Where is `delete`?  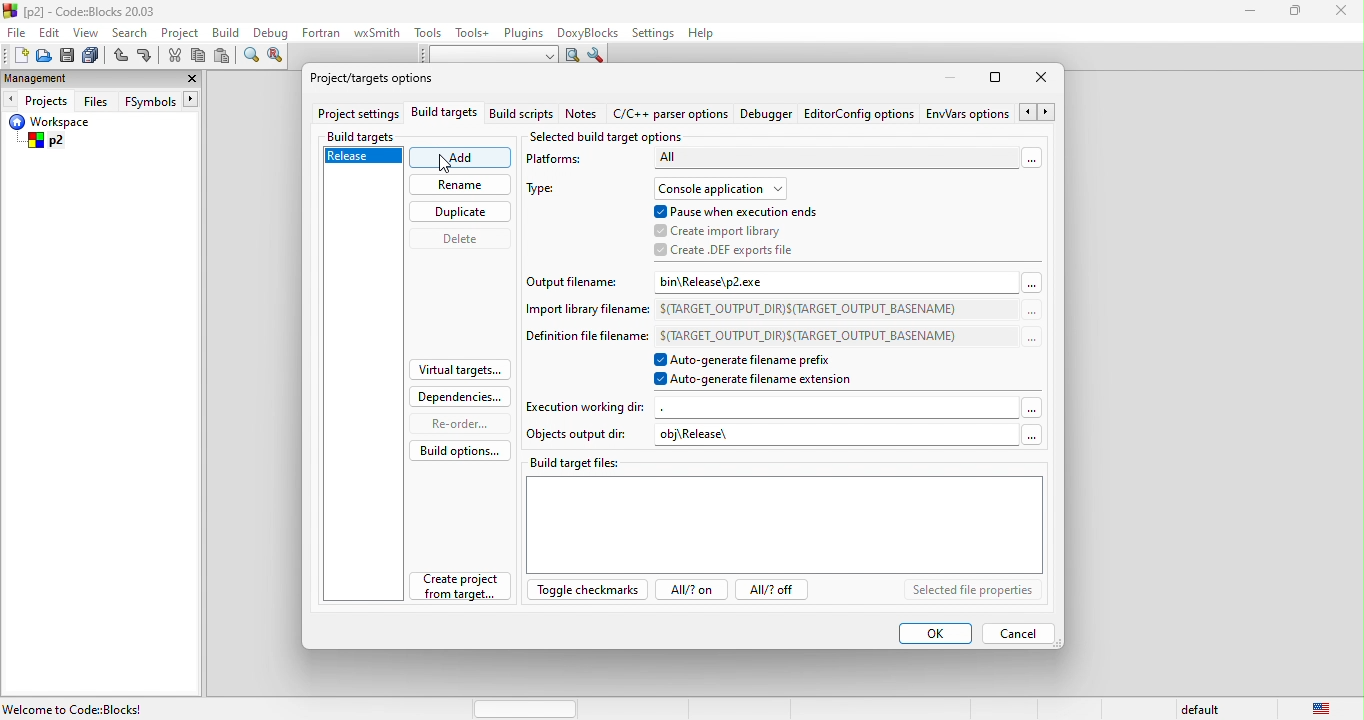 delete is located at coordinates (467, 241).